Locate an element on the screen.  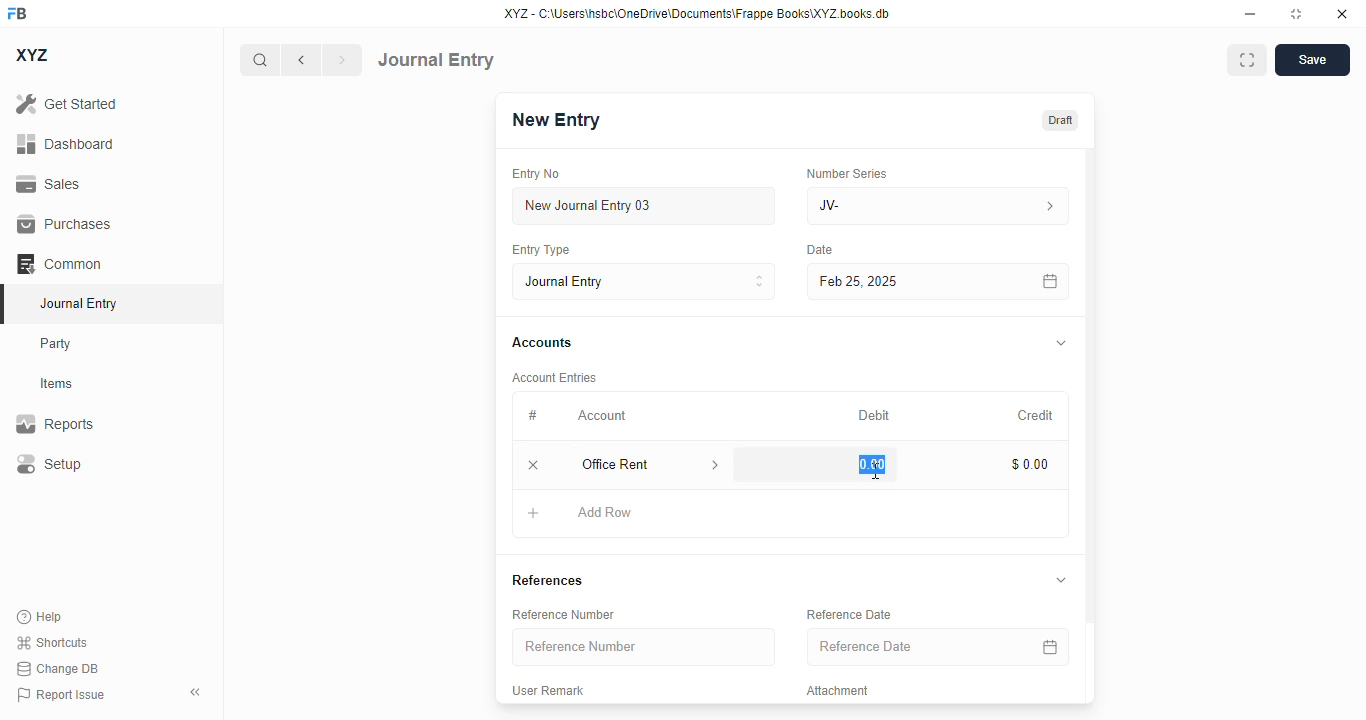
close is located at coordinates (1342, 13).